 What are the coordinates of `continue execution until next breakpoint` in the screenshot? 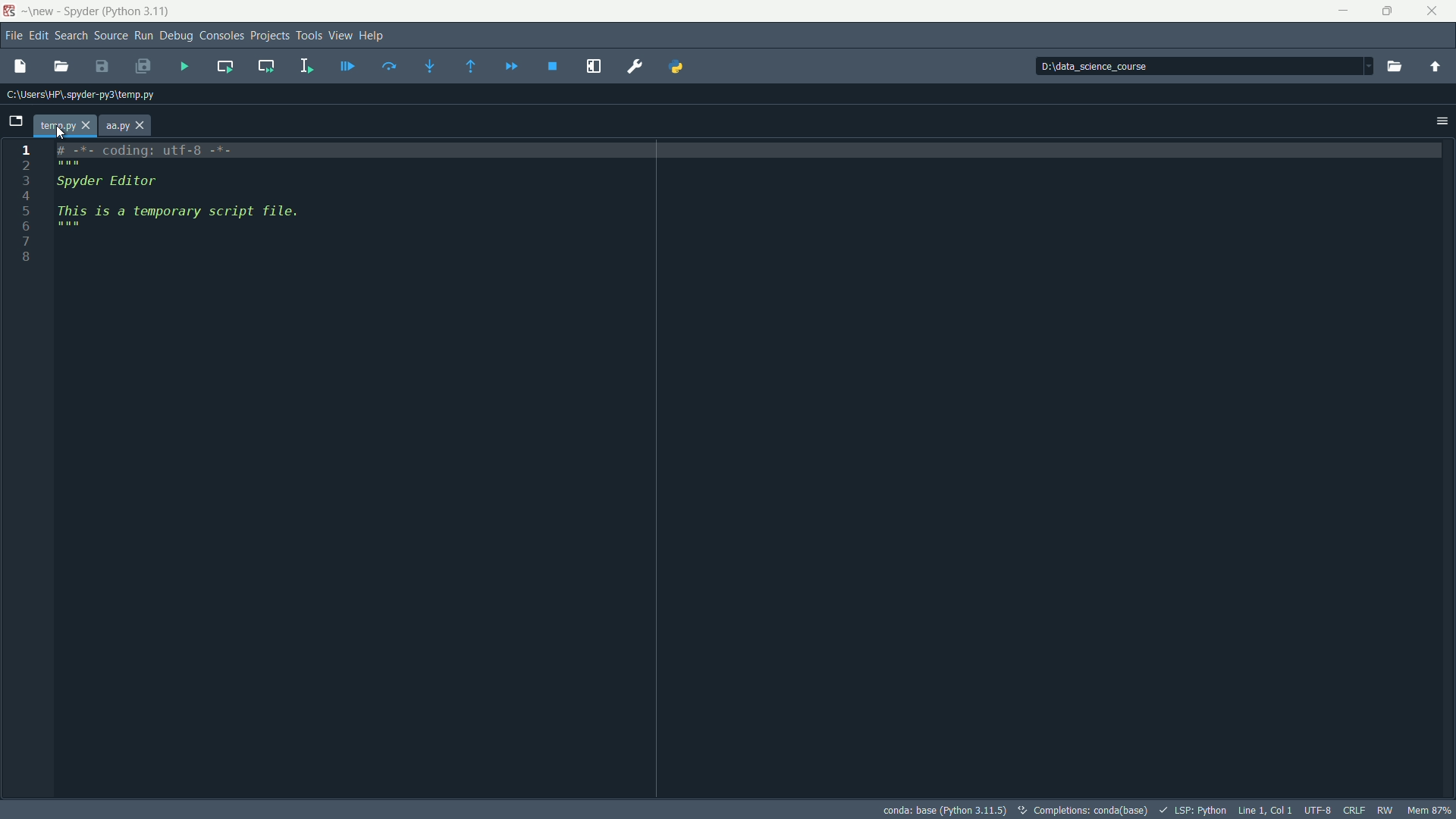 It's located at (515, 65).